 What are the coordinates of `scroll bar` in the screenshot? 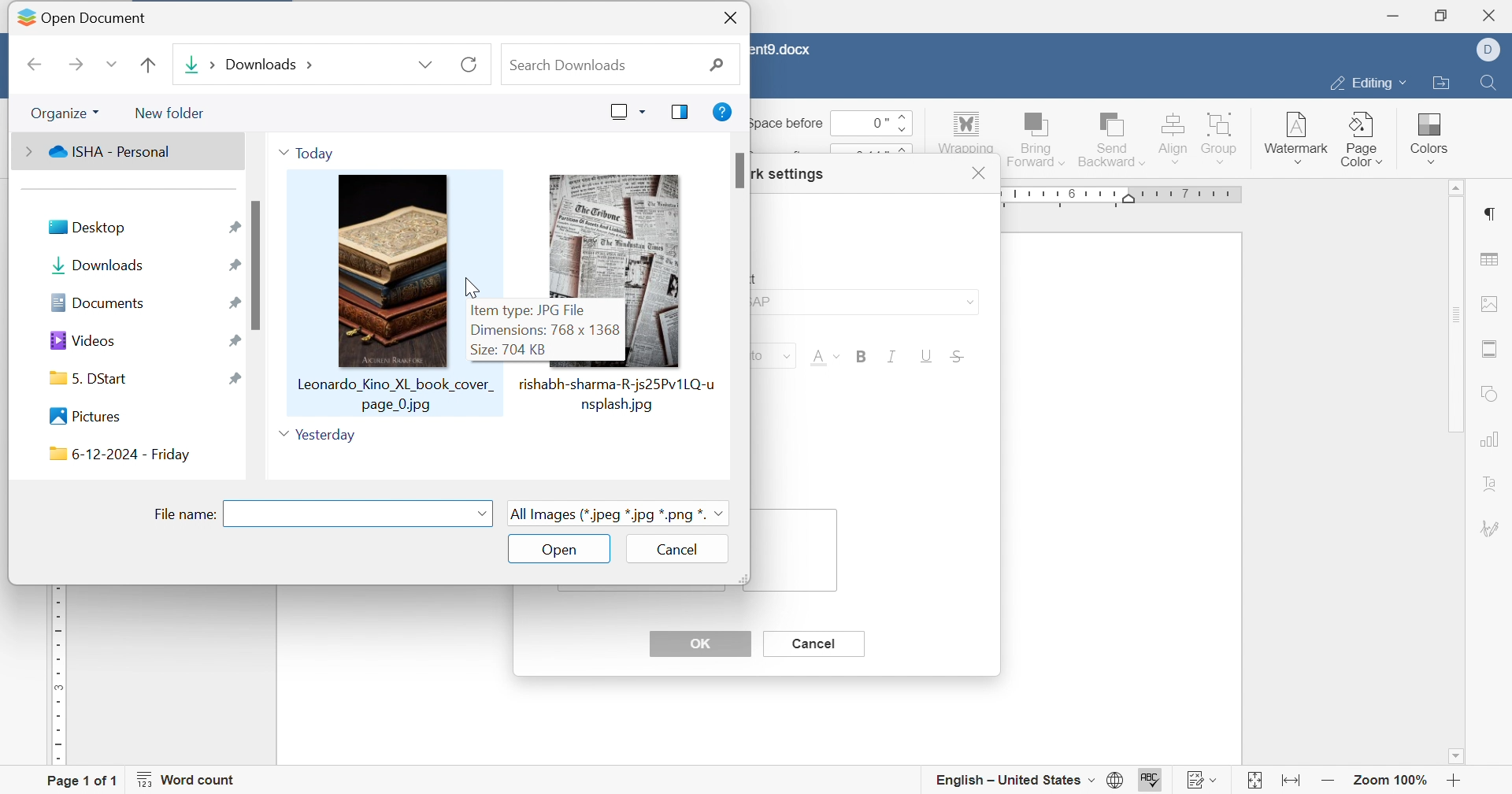 It's located at (1454, 314).